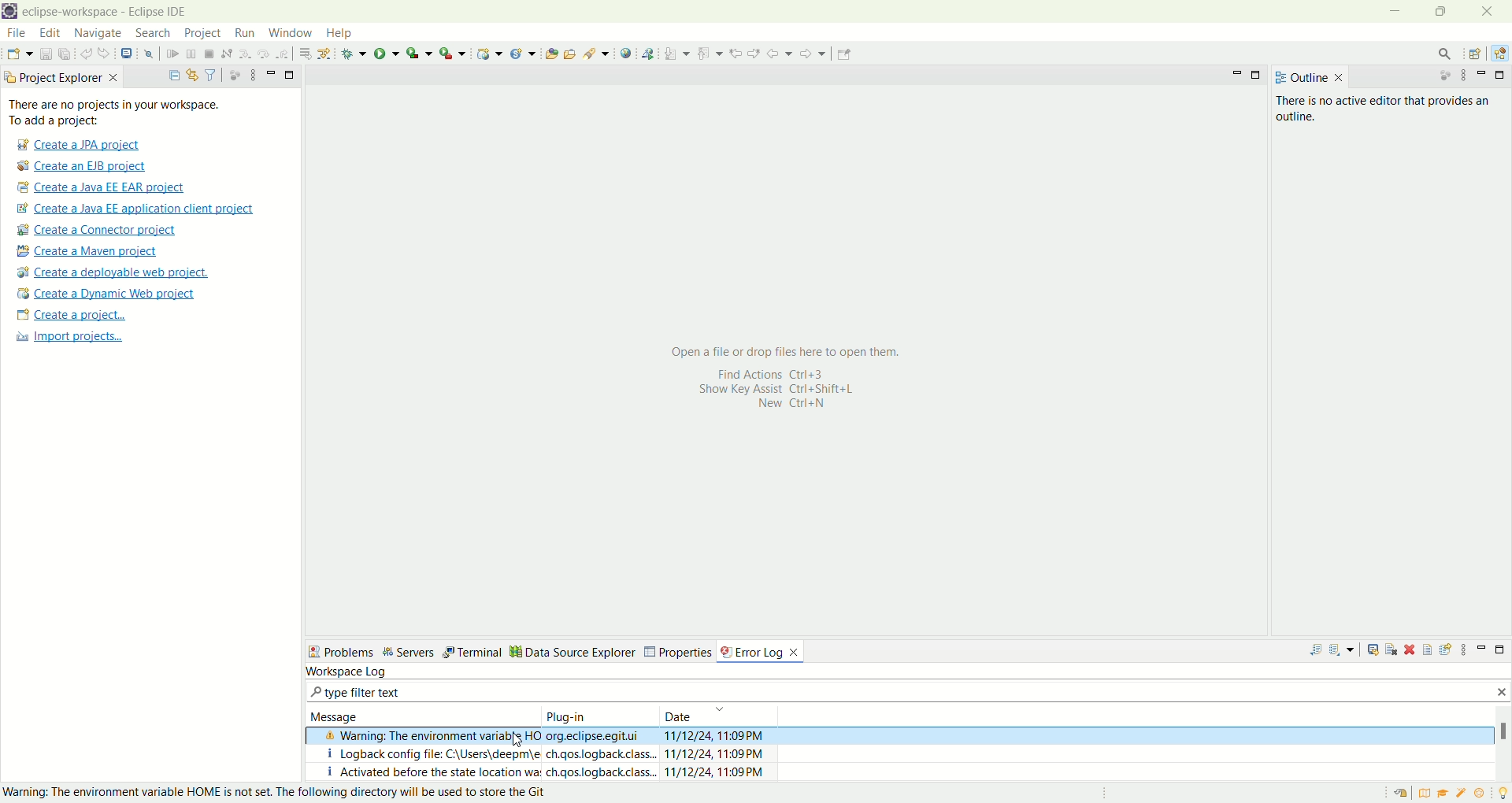 Image resolution: width=1512 pixels, height=803 pixels. Describe the element at coordinates (1501, 76) in the screenshot. I see `maximize` at that location.